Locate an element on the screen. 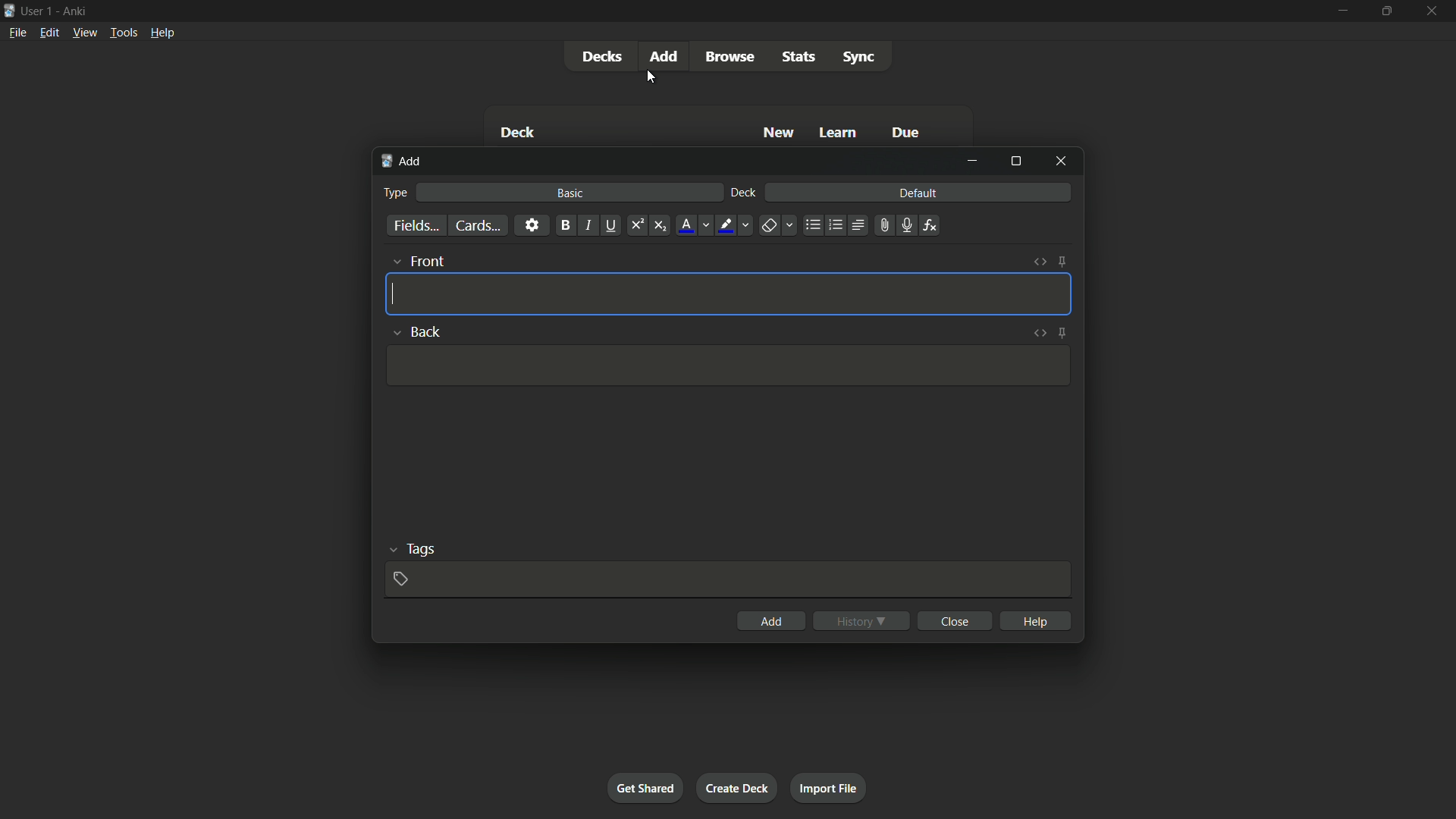 This screenshot has height=819, width=1456. alignment is located at coordinates (857, 226).